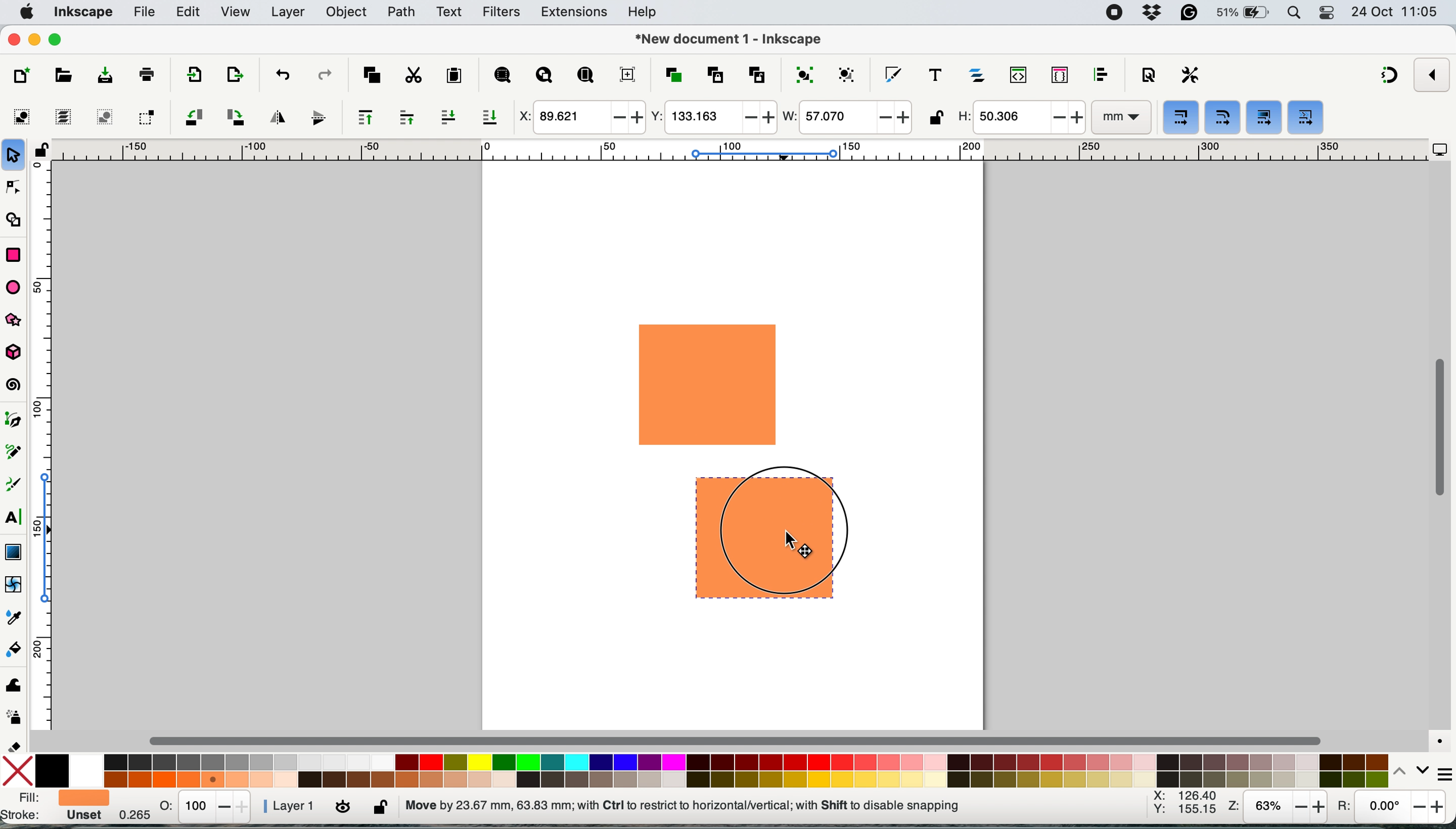 The image size is (1456, 829). What do you see at coordinates (579, 118) in the screenshot?
I see `x coordinate` at bounding box center [579, 118].